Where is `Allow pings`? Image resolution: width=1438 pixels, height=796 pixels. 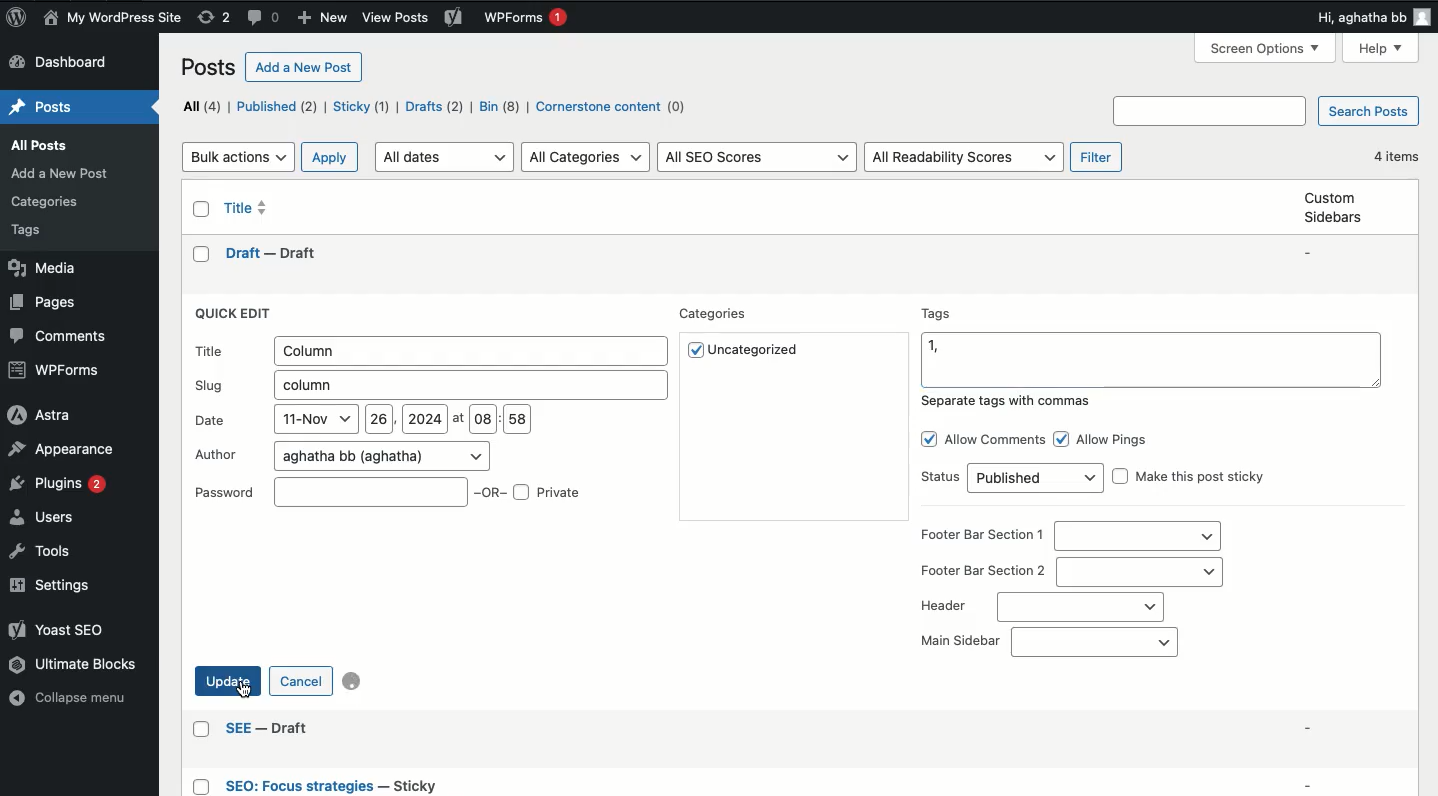
Allow pings is located at coordinates (1103, 442).